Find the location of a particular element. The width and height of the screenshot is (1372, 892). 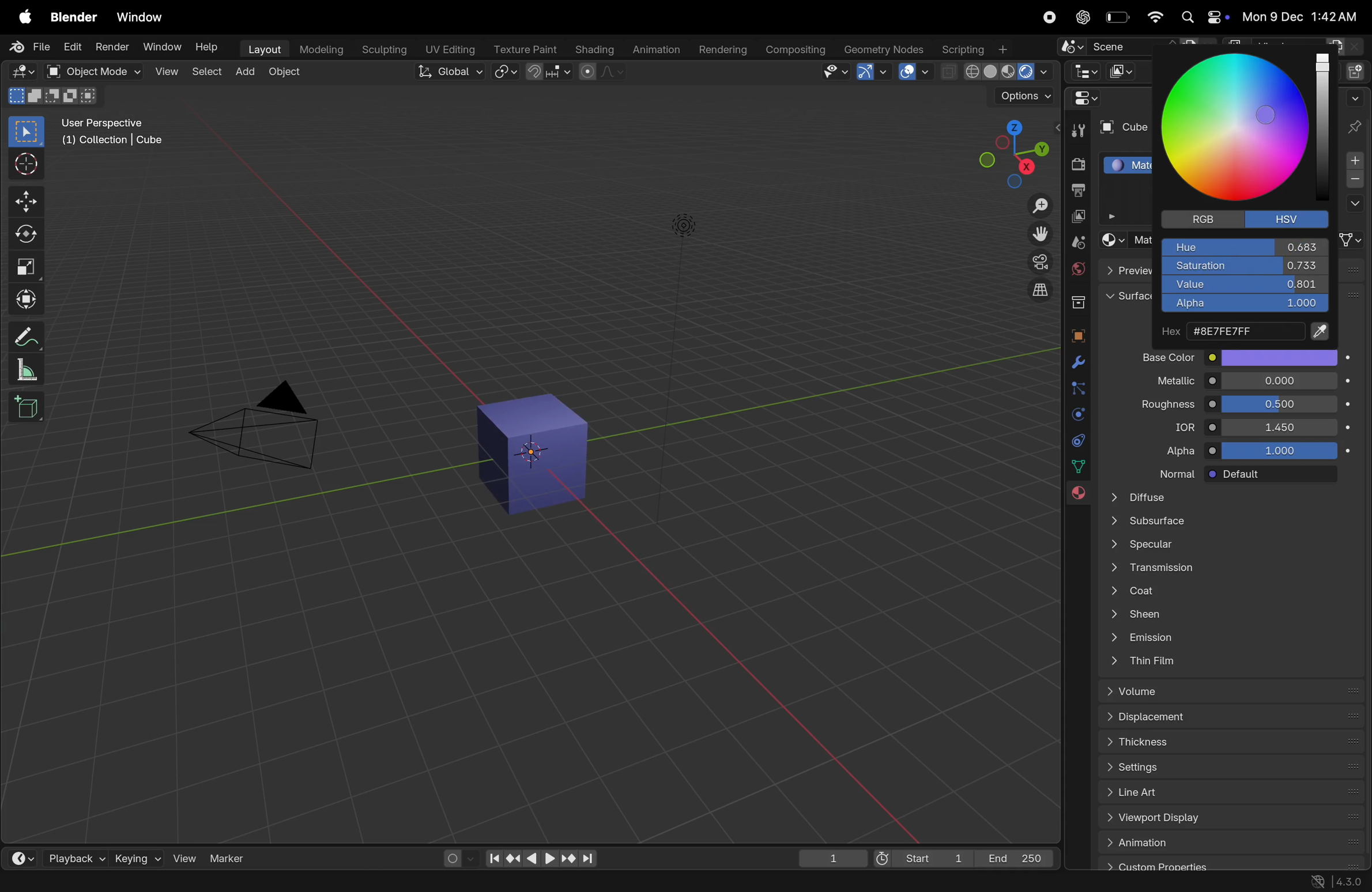

options is located at coordinates (1354, 205).